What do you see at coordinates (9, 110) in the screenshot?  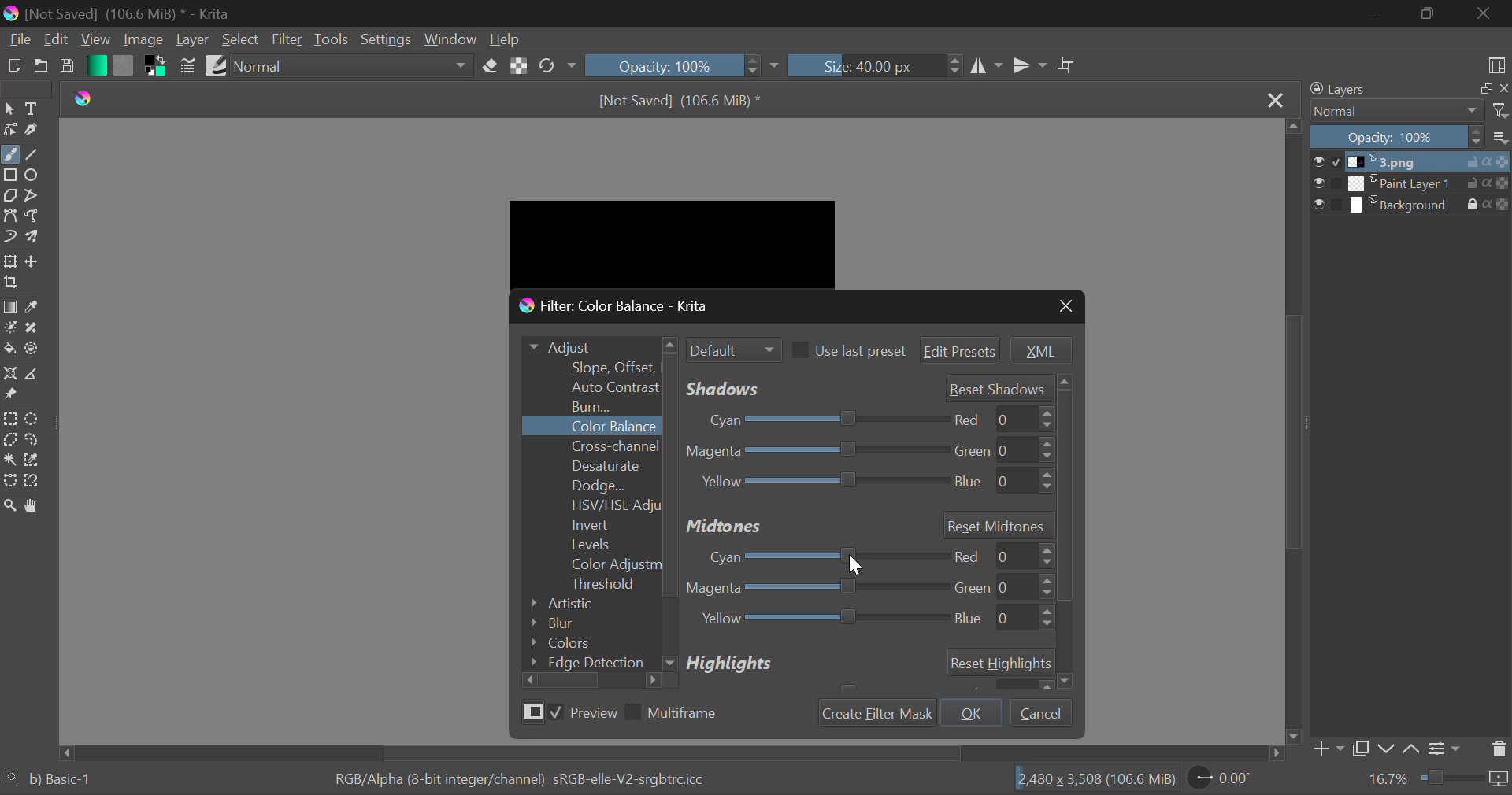 I see `Select` at bounding box center [9, 110].